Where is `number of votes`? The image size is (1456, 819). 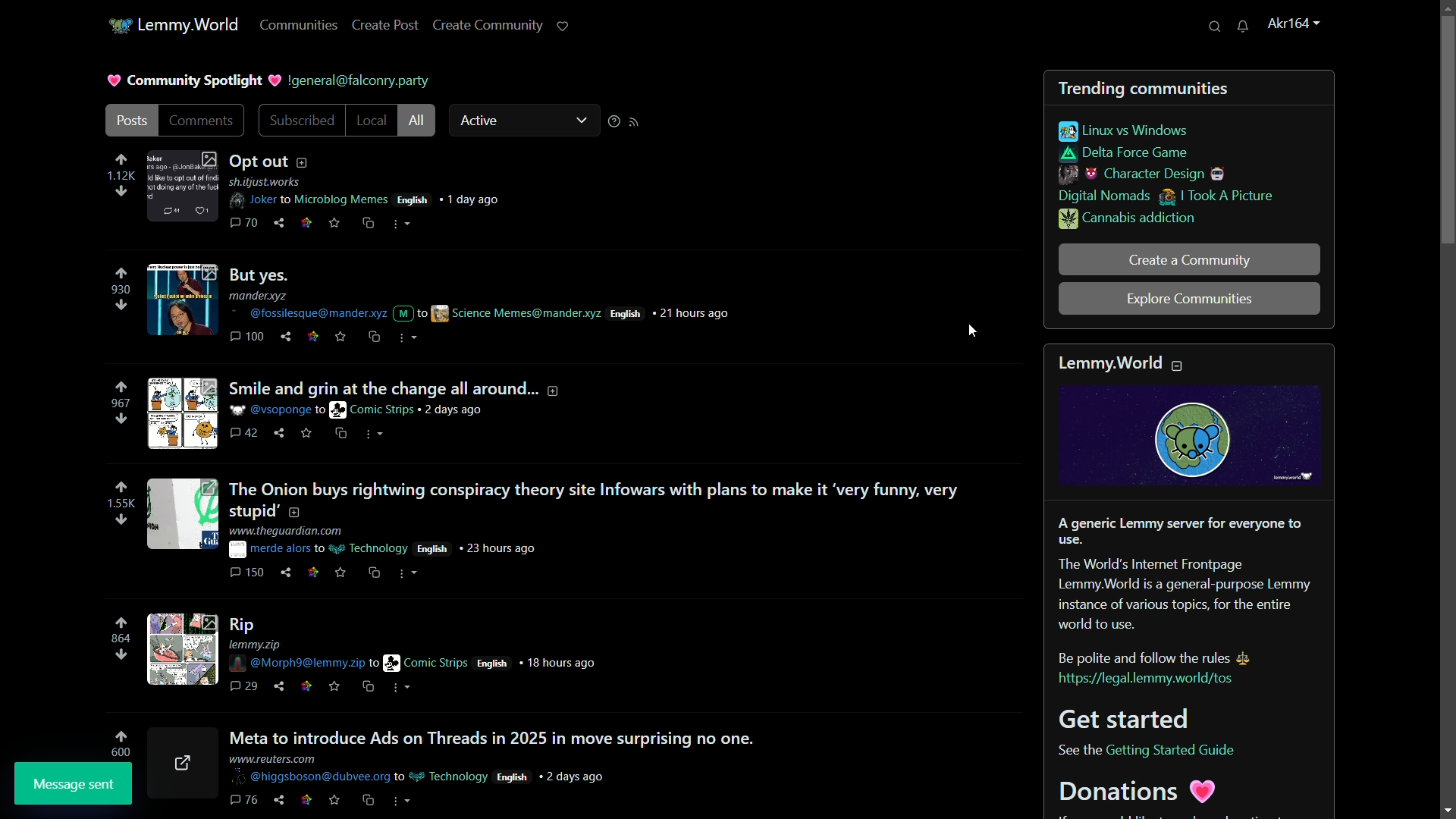
number of votes is located at coordinates (124, 287).